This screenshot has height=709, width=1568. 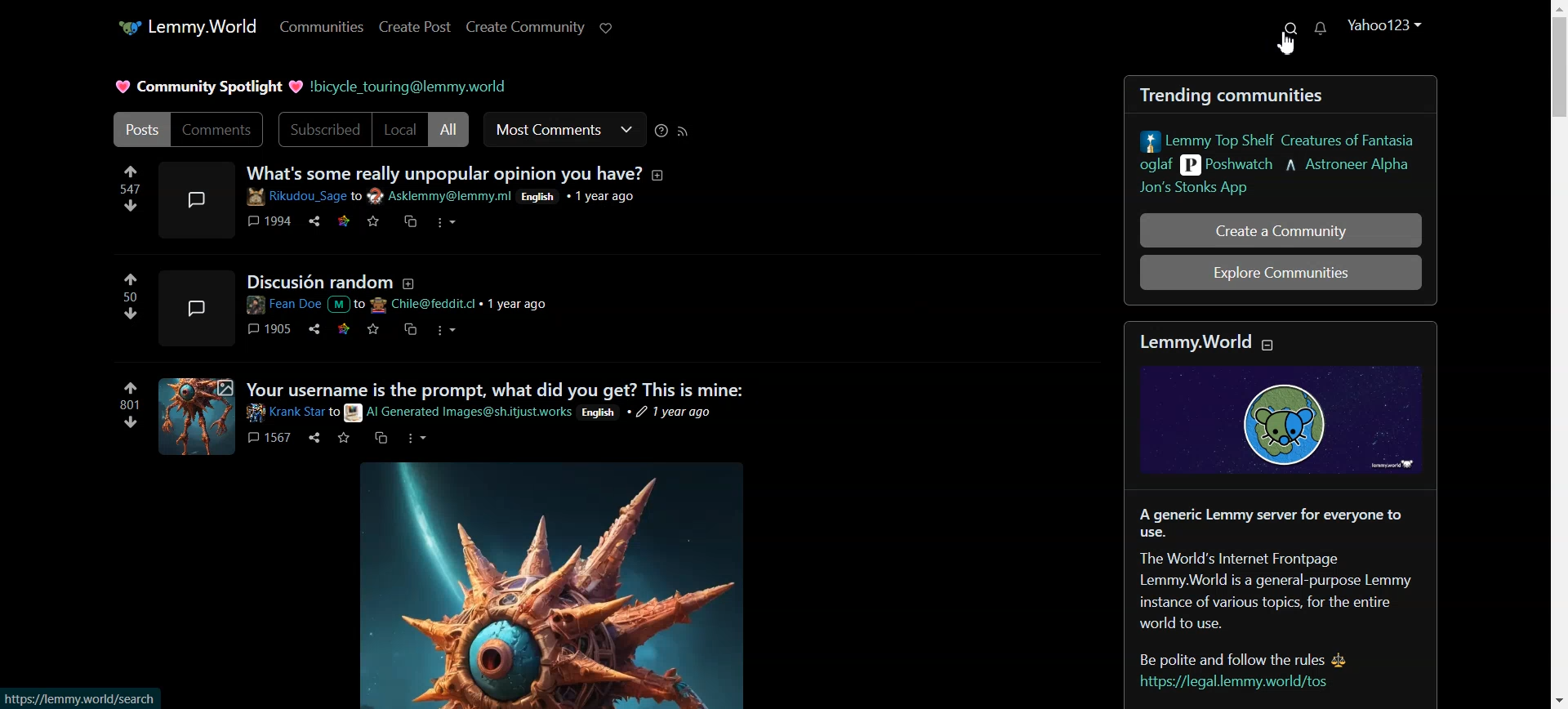 I want to click on Comments, so click(x=220, y=129).